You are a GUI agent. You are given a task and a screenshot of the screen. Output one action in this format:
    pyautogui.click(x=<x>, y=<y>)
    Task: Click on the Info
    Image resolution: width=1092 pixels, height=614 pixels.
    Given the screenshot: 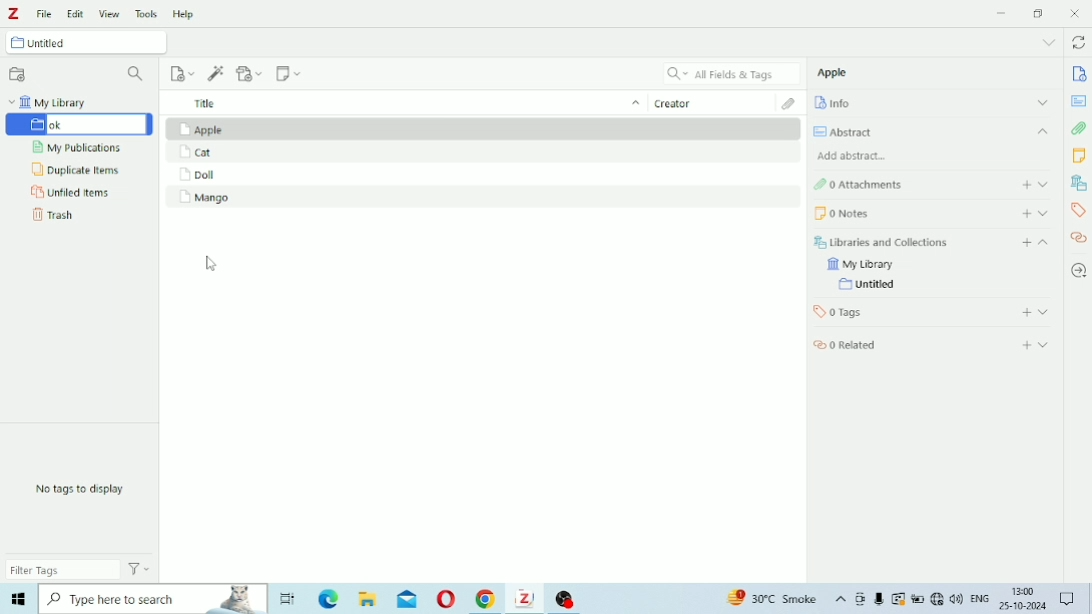 What is the action you would take?
    pyautogui.click(x=931, y=103)
    